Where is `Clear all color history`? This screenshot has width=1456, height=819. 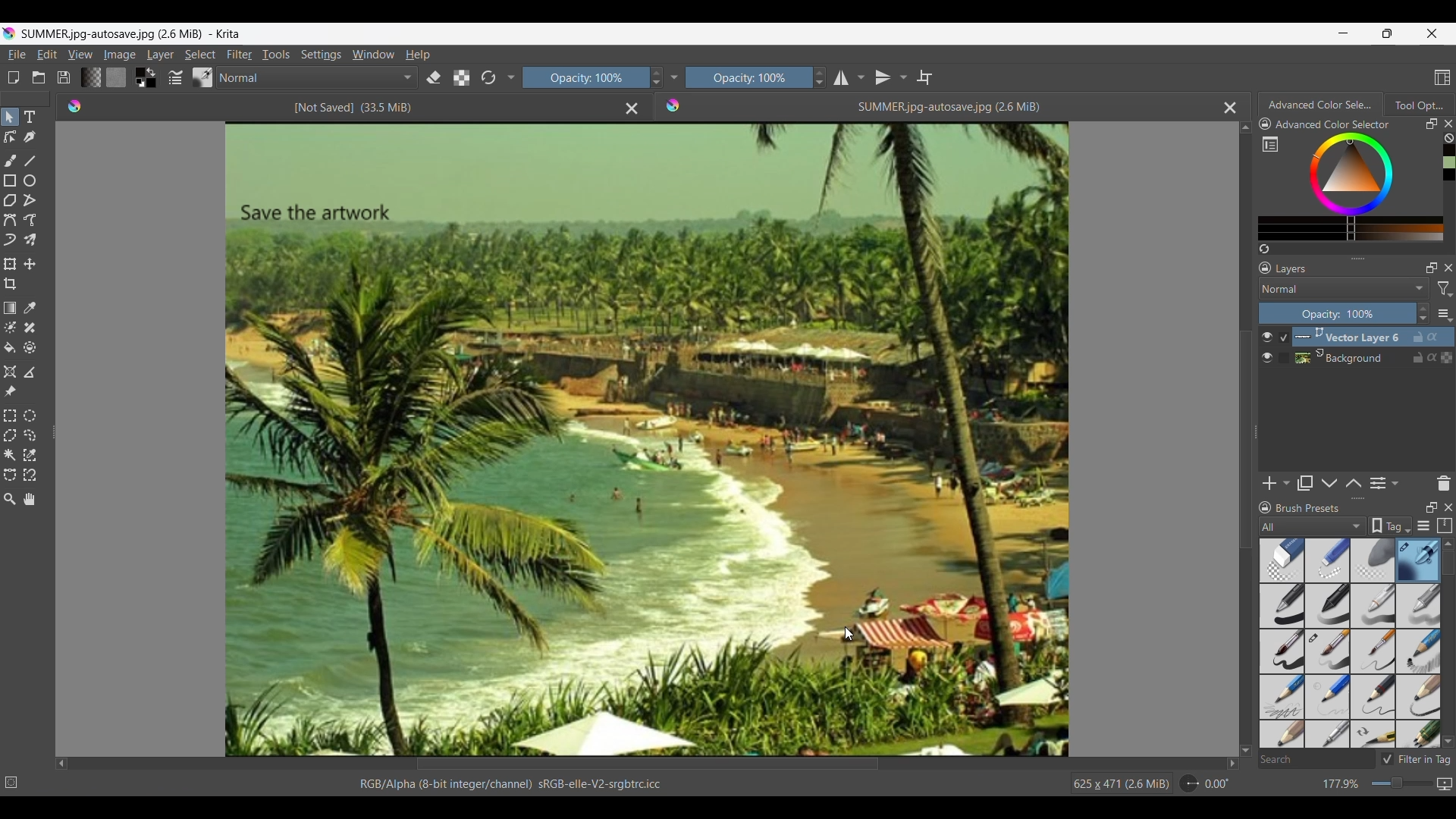 Clear all color history is located at coordinates (1448, 138).